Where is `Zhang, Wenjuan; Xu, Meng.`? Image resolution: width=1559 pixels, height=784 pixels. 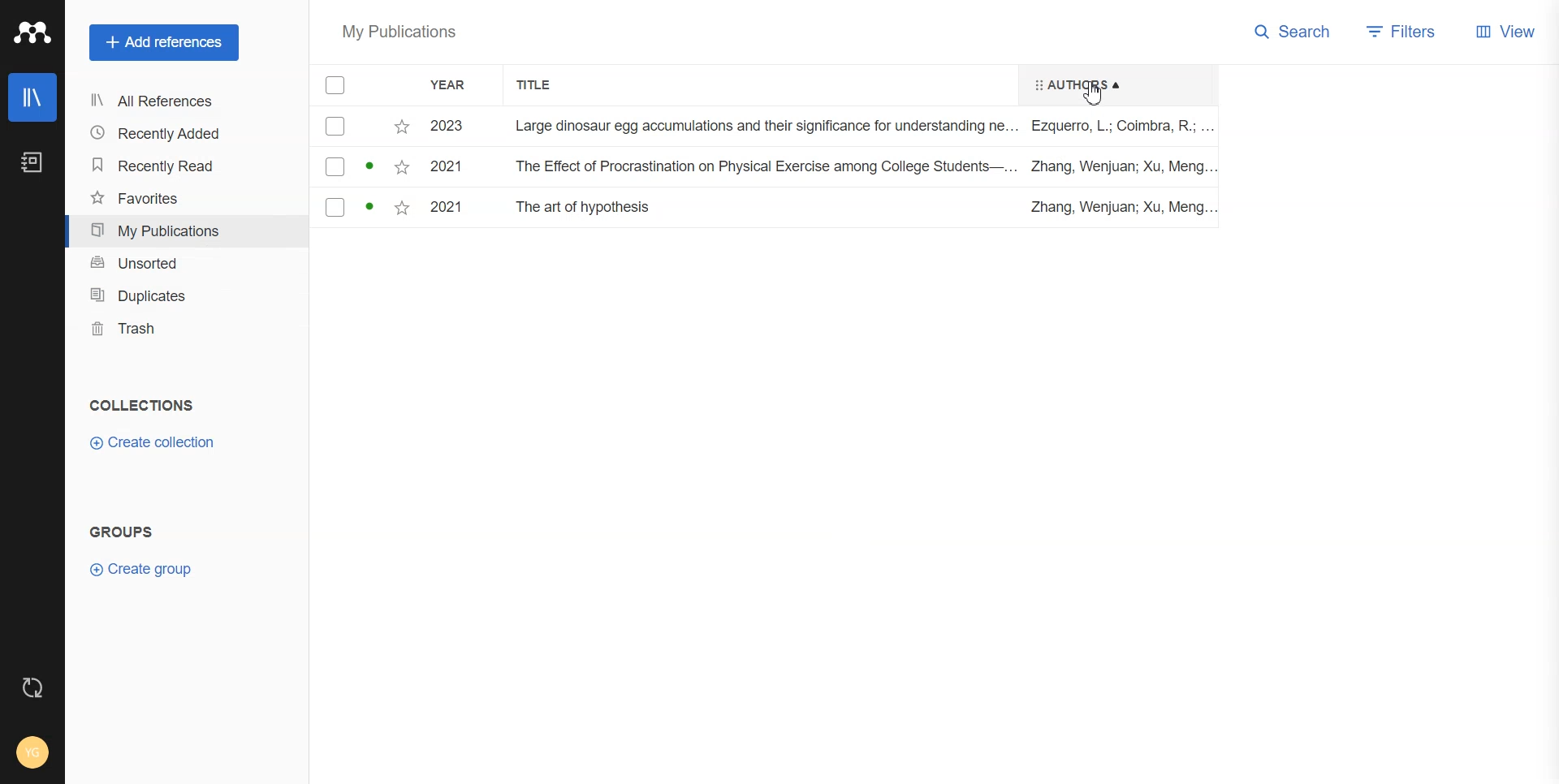 Zhang, Wenjuan; Xu, Meng. is located at coordinates (1119, 167).